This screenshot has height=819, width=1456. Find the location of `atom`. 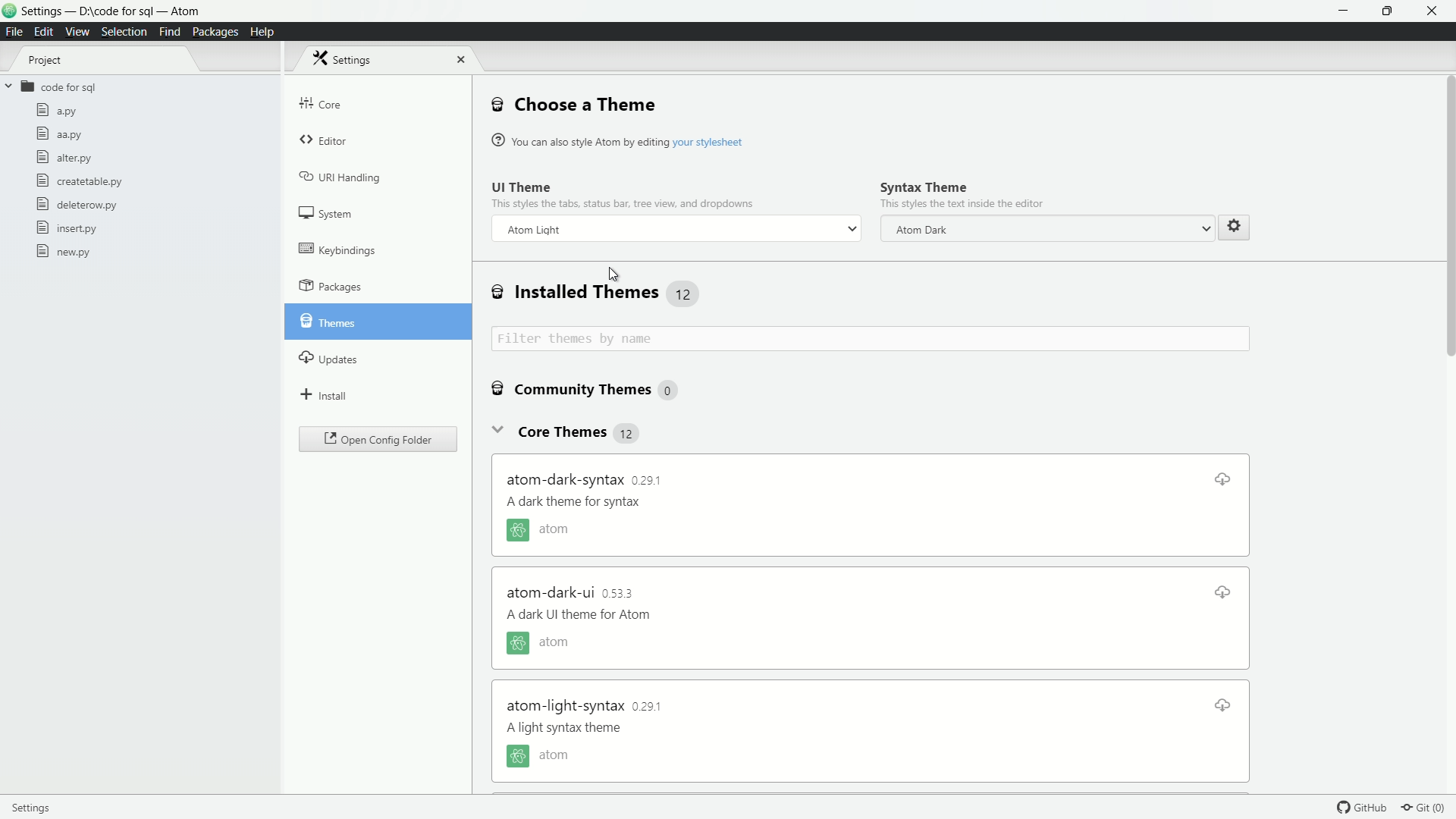

atom is located at coordinates (544, 756).